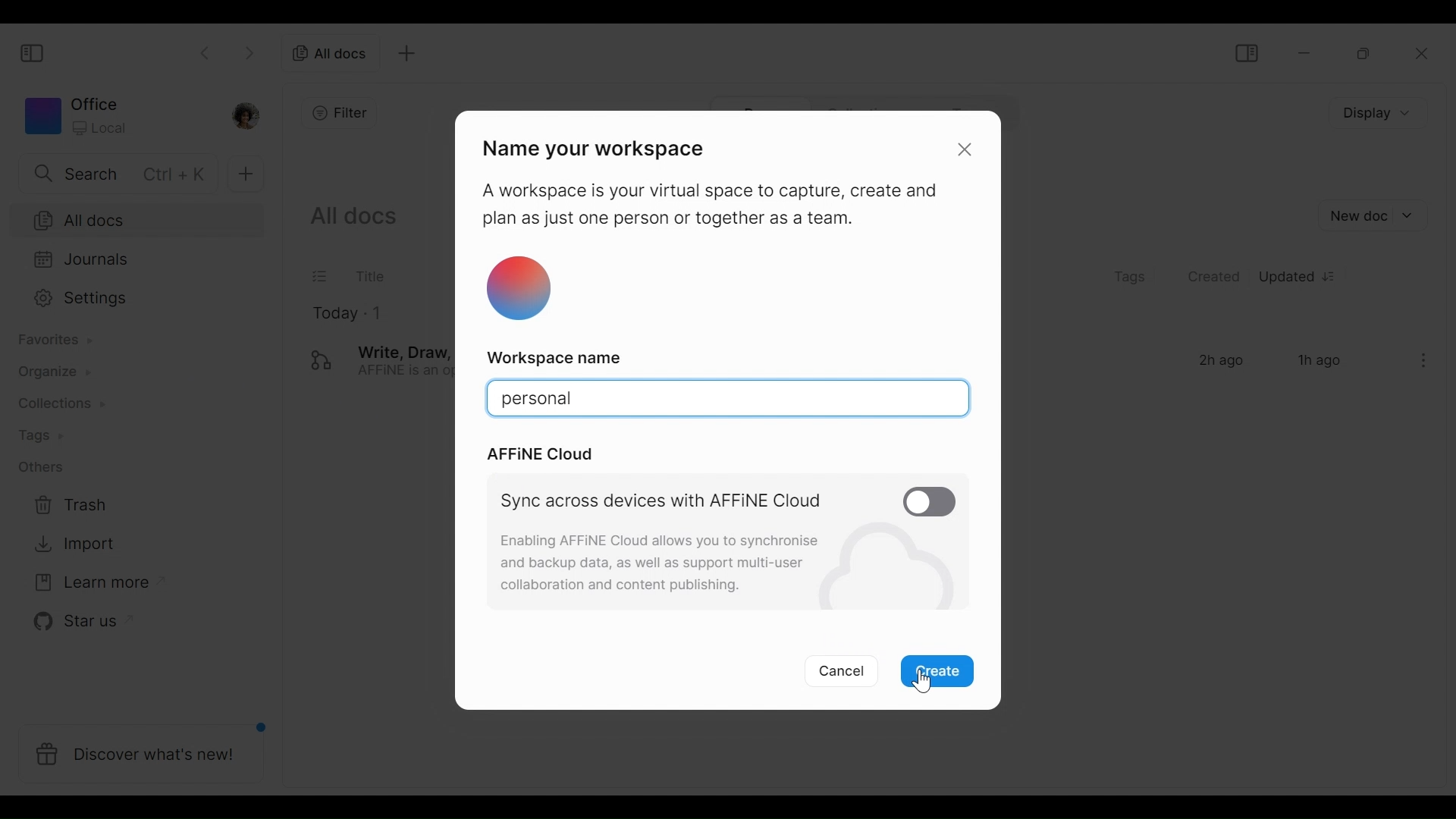 This screenshot has width=1456, height=819. Describe the element at coordinates (1130, 276) in the screenshot. I see `Tags` at that location.